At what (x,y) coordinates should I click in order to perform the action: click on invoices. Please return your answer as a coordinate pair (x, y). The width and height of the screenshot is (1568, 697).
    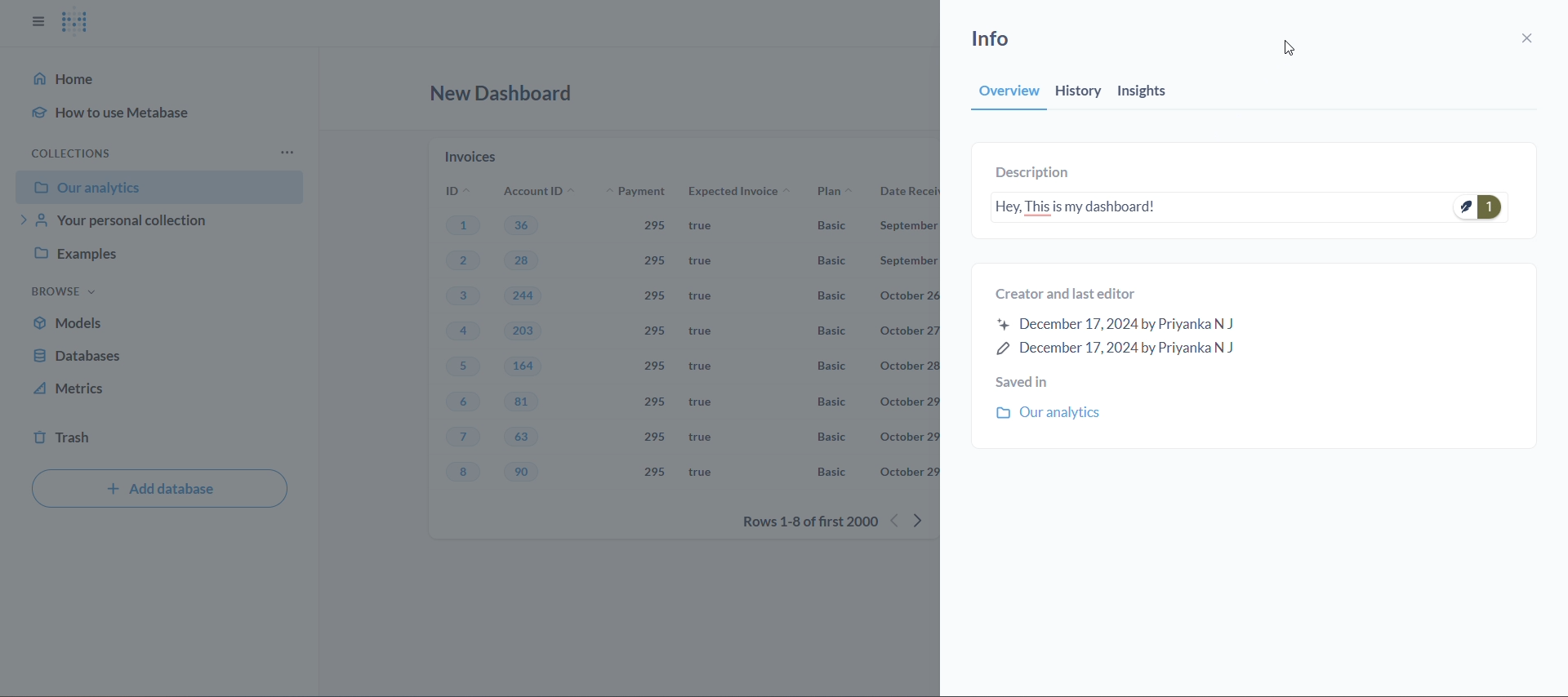
    Looking at the image, I should click on (473, 154).